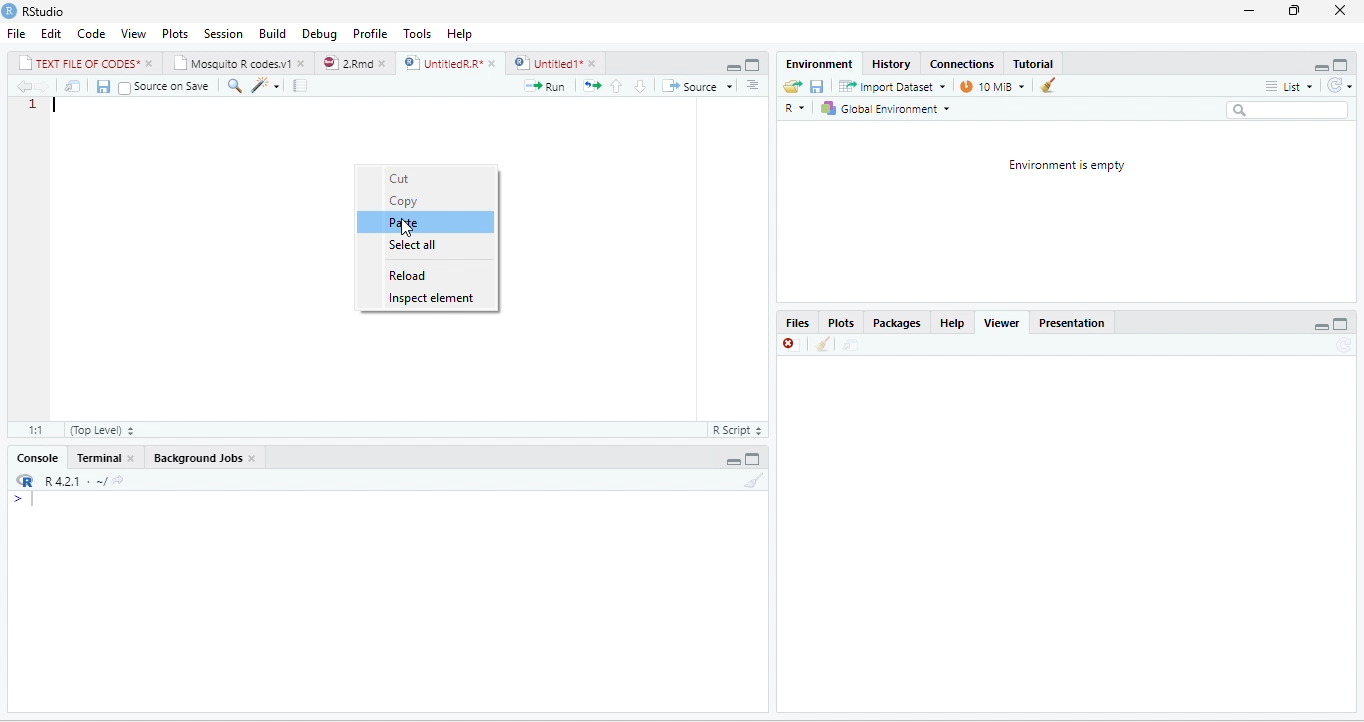 The width and height of the screenshot is (1364, 722). What do you see at coordinates (616, 85) in the screenshot?
I see `go to previous section/chunk` at bounding box center [616, 85].